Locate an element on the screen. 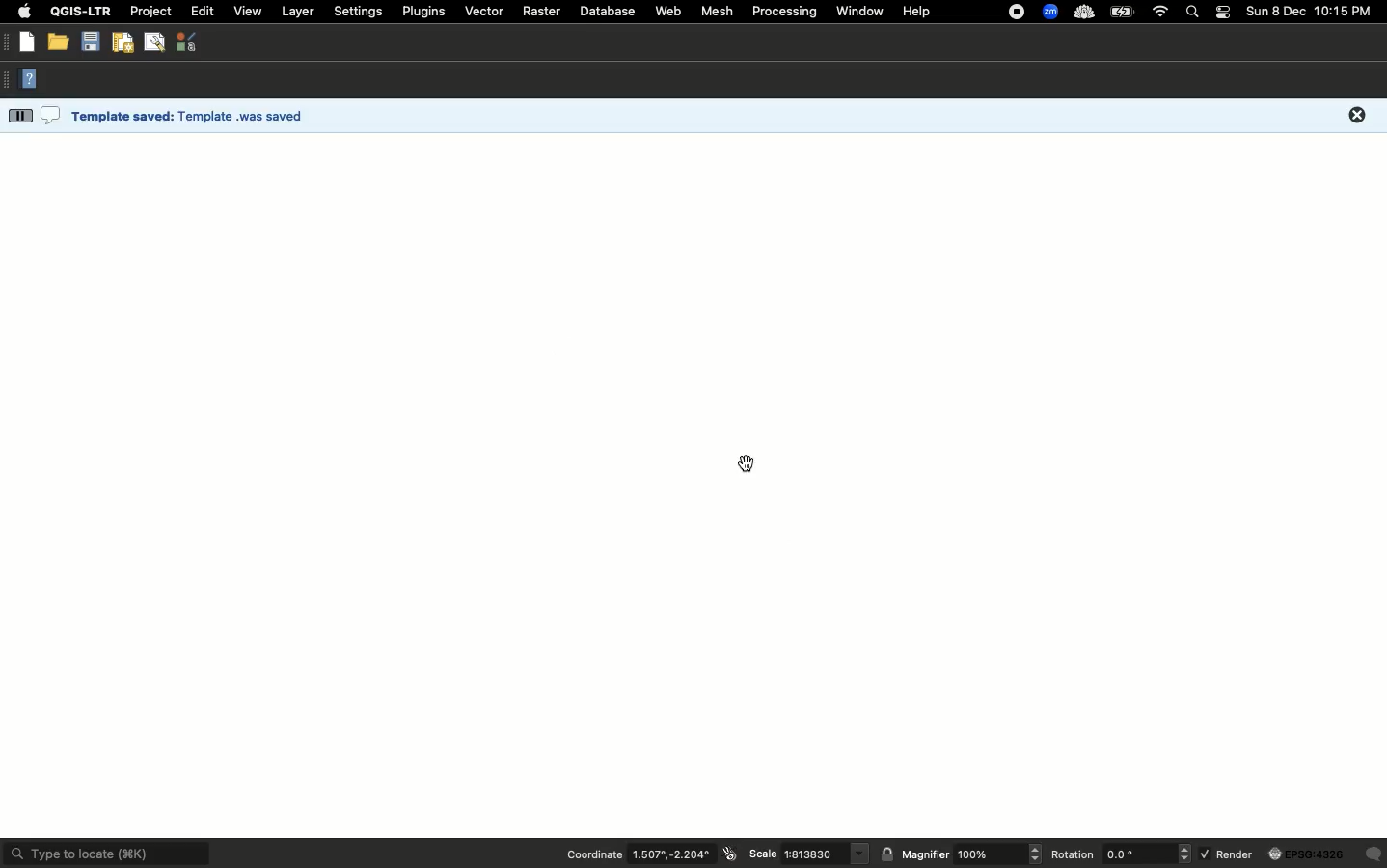 This screenshot has height=868, width=1387. Save is located at coordinates (90, 44).